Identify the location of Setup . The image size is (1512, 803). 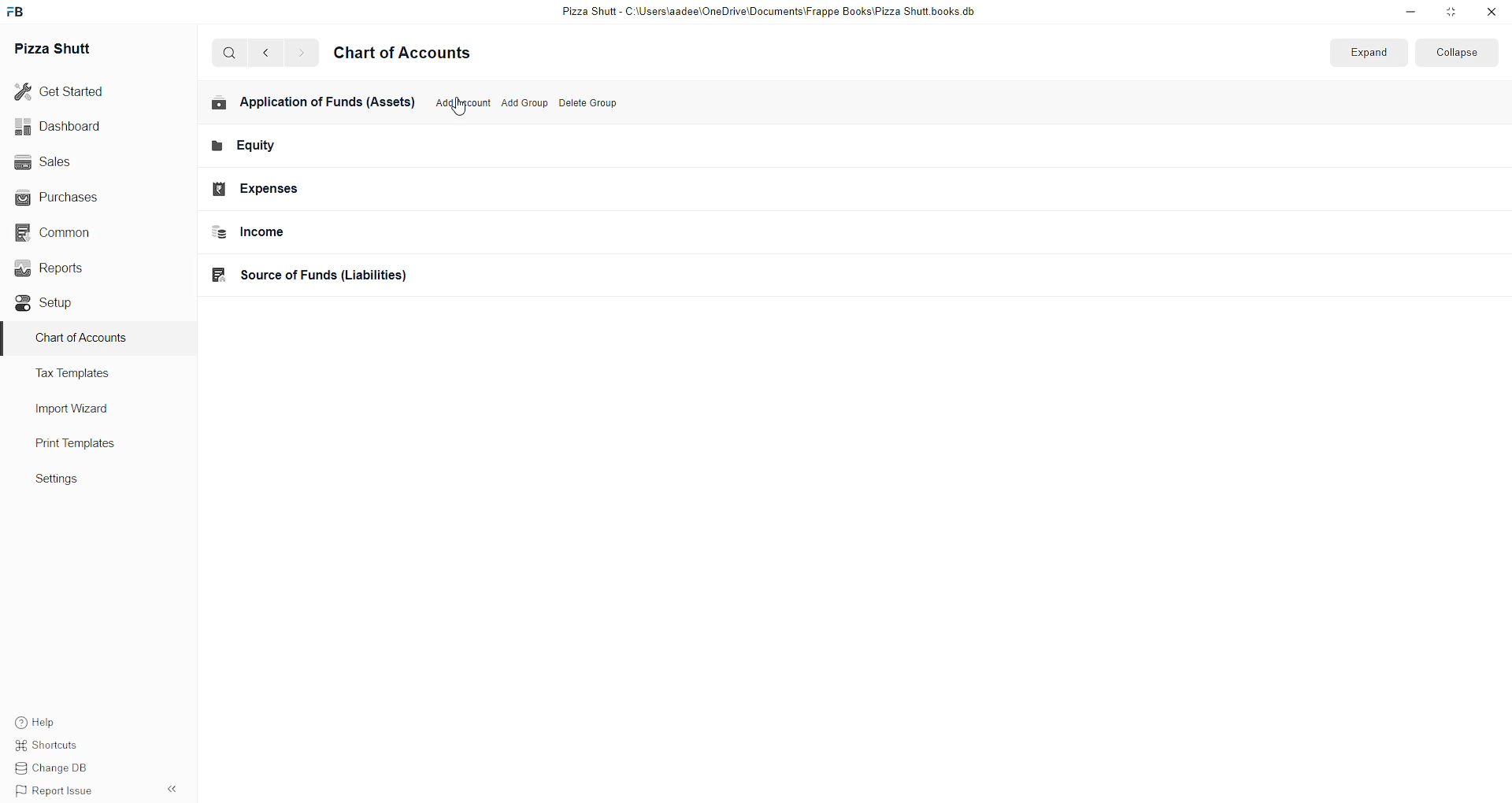
(63, 305).